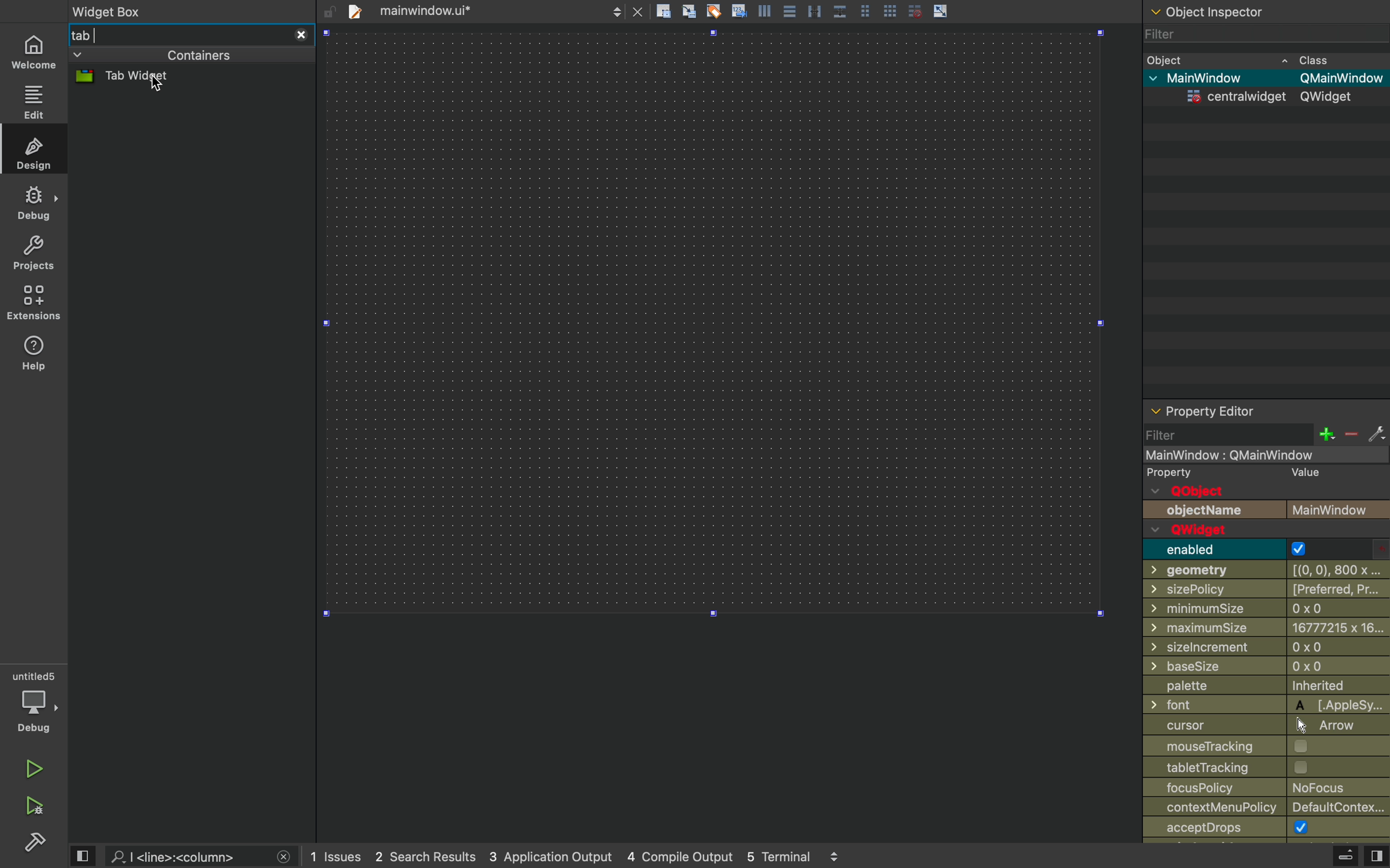  What do you see at coordinates (1264, 649) in the screenshot?
I see `` at bounding box center [1264, 649].